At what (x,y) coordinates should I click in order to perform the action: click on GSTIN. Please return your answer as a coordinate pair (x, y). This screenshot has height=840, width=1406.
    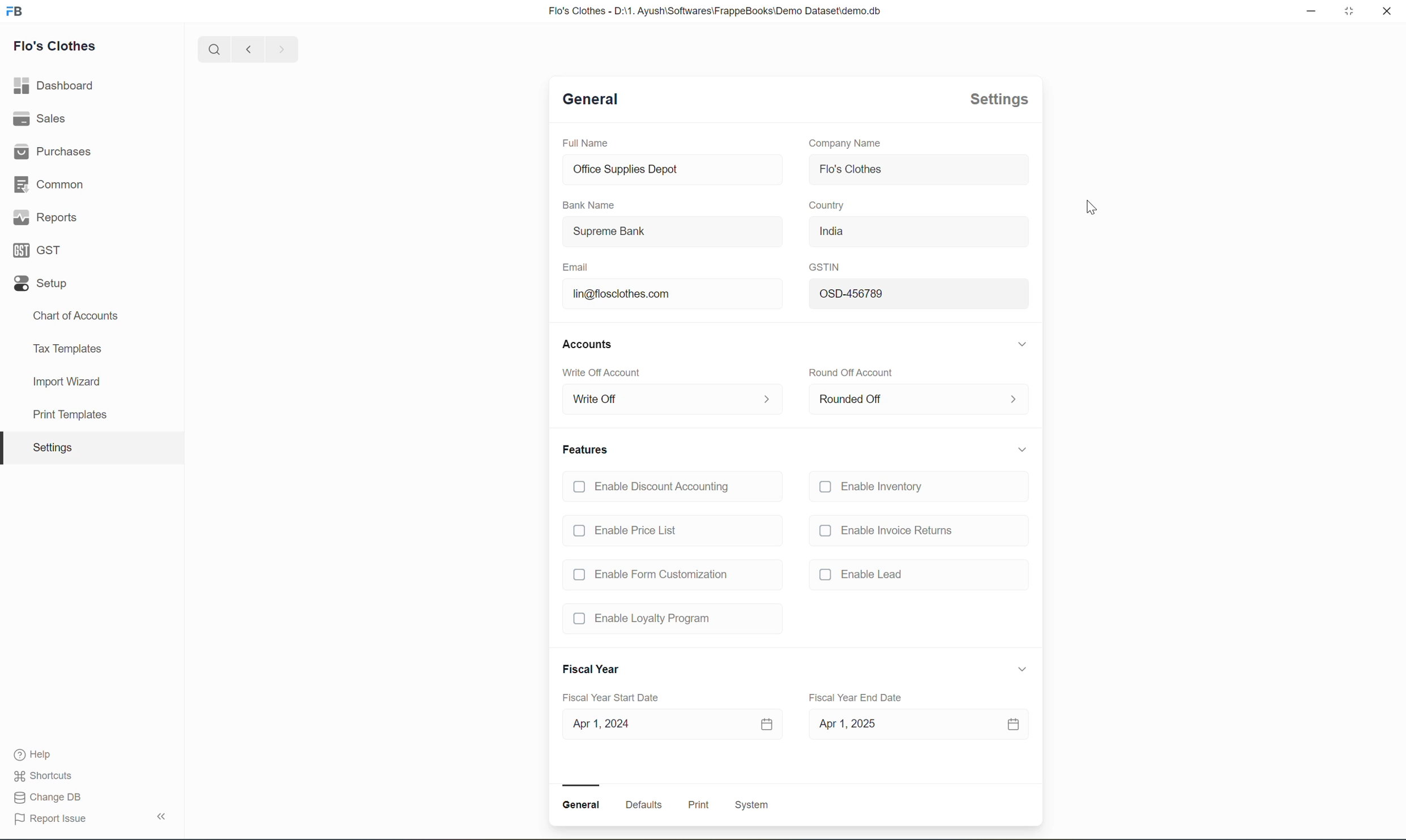
    Looking at the image, I should click on (824, 267).